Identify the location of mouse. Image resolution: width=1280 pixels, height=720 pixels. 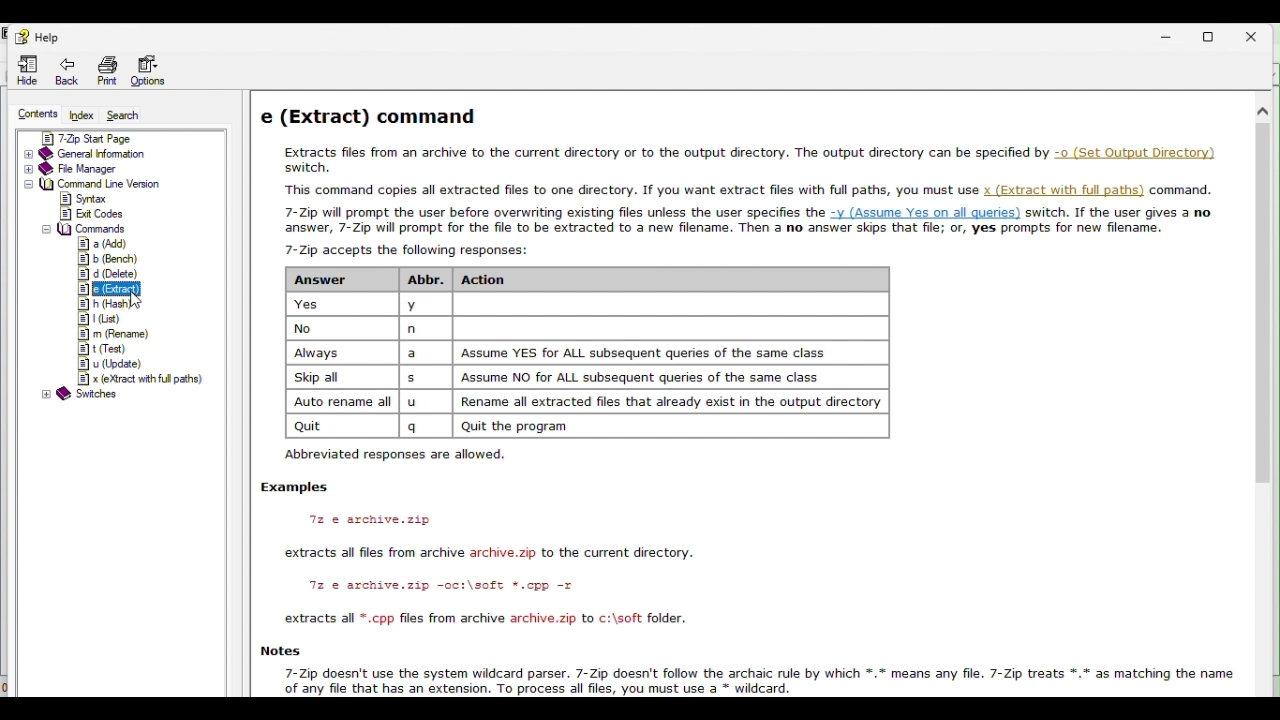
(137, 298).